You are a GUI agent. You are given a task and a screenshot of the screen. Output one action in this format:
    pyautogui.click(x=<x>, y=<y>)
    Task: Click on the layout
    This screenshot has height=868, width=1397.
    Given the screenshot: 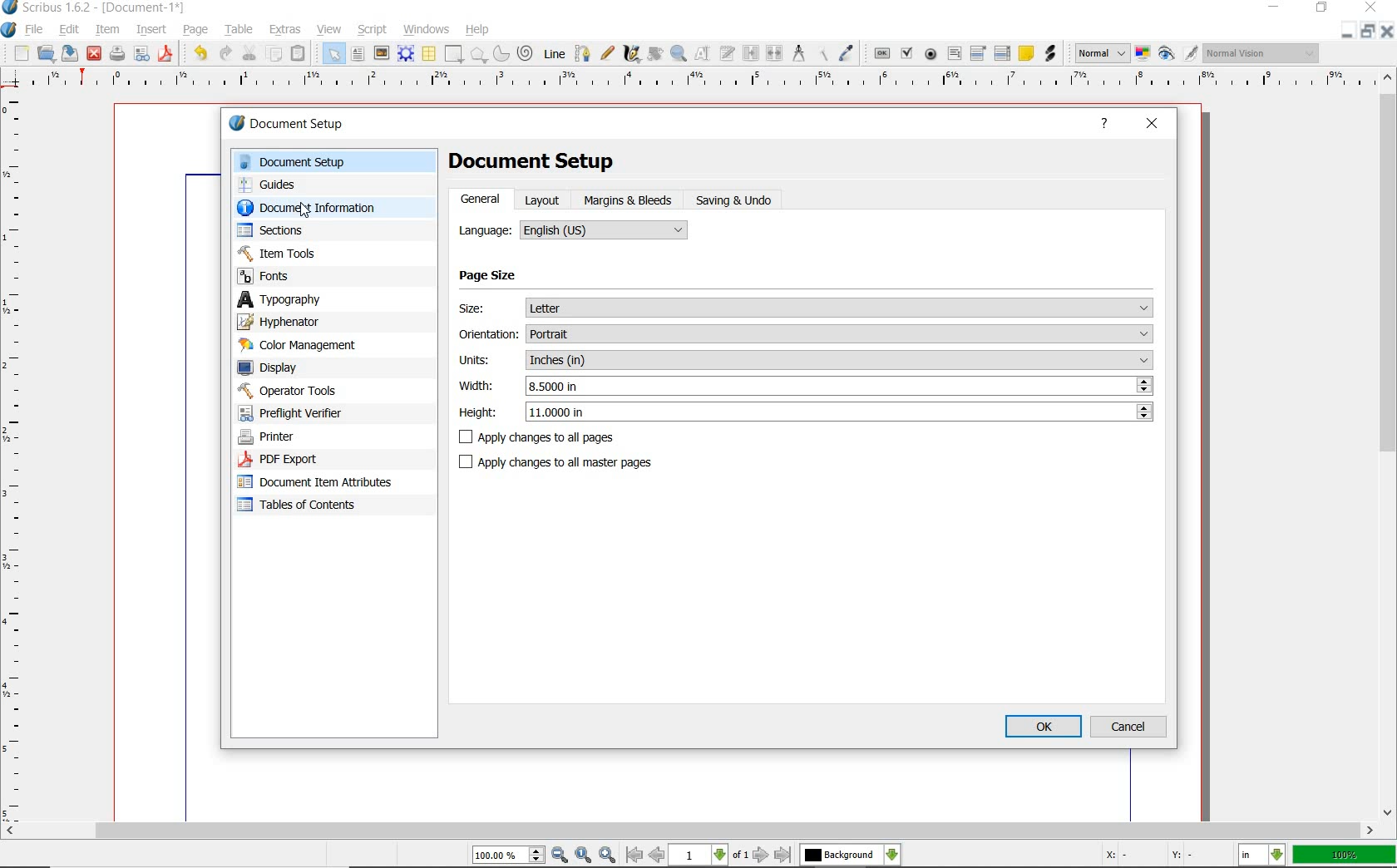 What is the action you would take?
    pyautogui.click(x=541, y=200)
    